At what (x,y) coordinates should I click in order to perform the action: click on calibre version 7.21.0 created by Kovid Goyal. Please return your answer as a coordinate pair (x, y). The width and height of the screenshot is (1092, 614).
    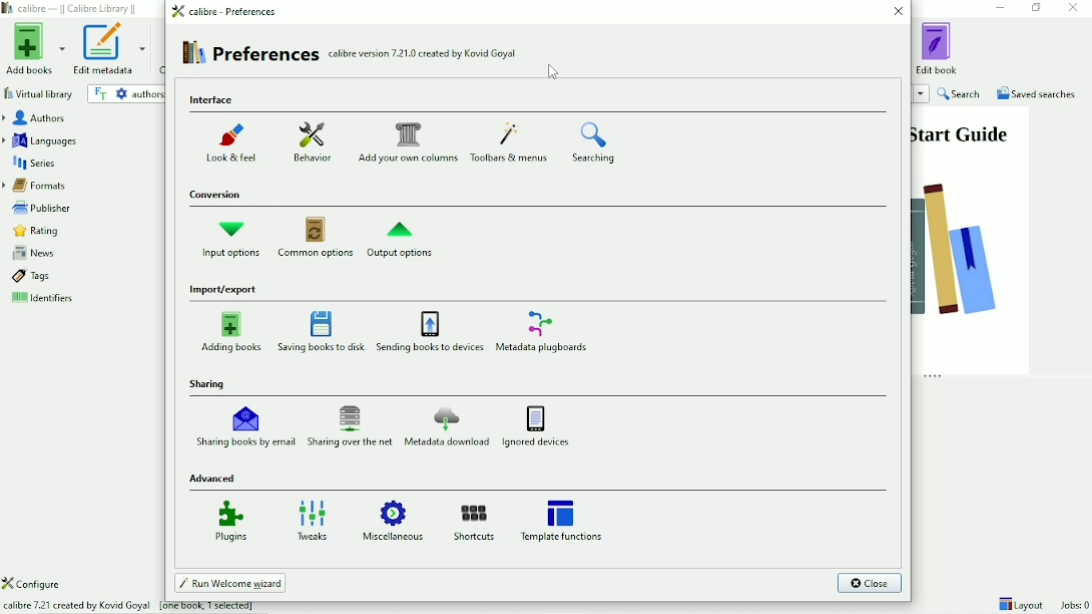
    Looking at the image, I should click on (423, 52).